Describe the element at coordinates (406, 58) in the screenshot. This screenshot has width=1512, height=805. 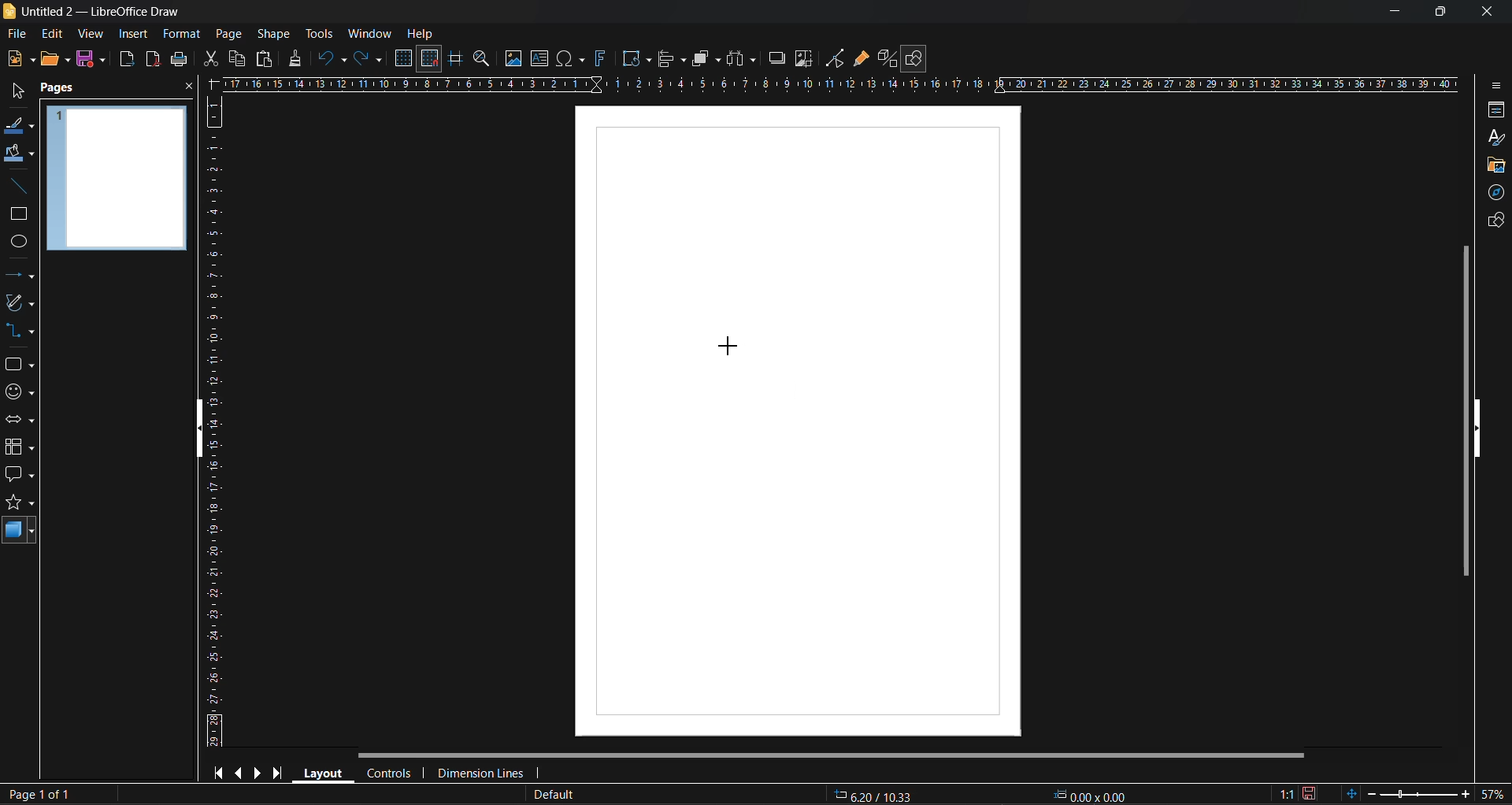
I see `display grid` at that location.